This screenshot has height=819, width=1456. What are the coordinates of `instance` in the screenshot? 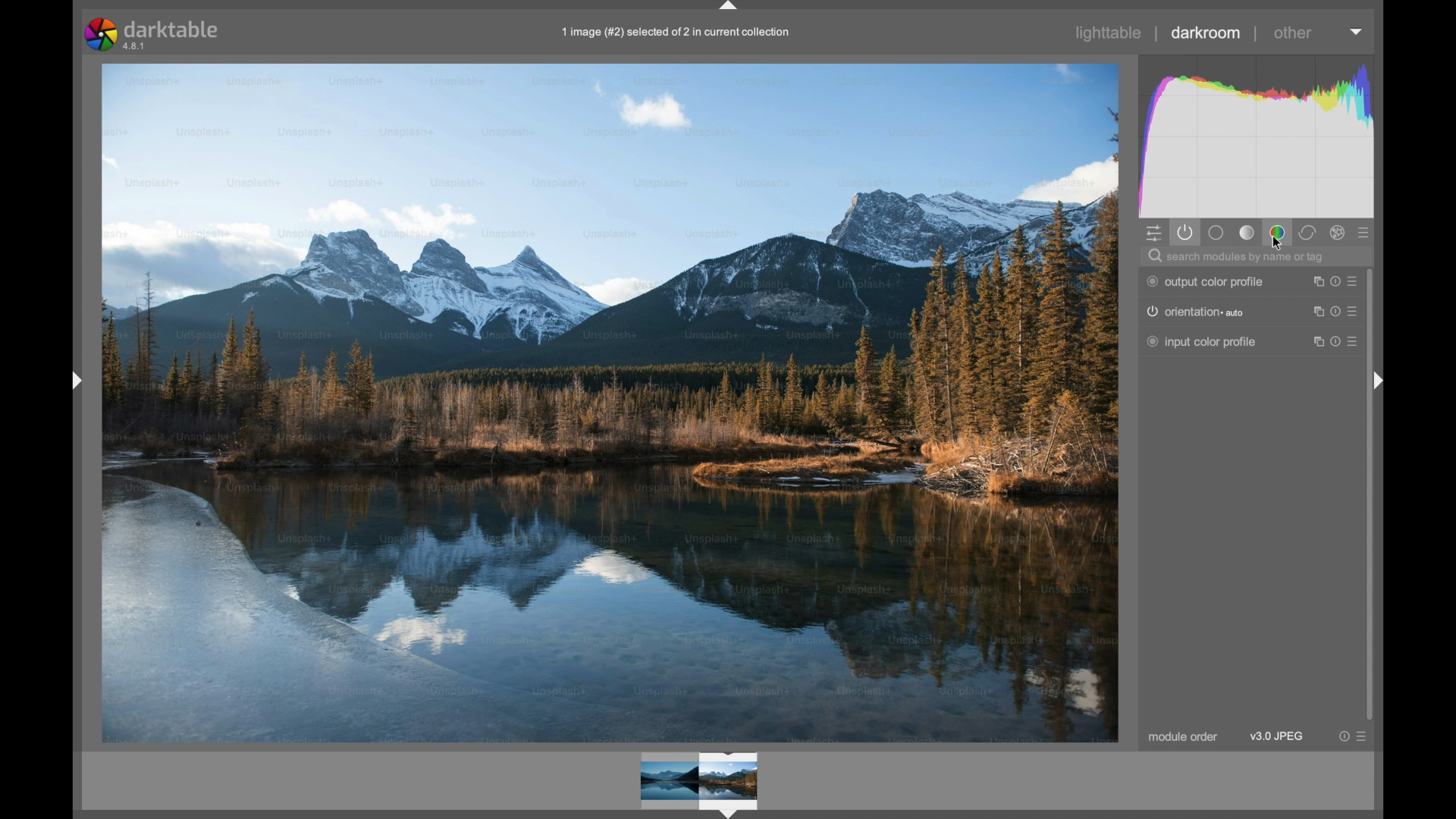 It's located at (1314, 312).